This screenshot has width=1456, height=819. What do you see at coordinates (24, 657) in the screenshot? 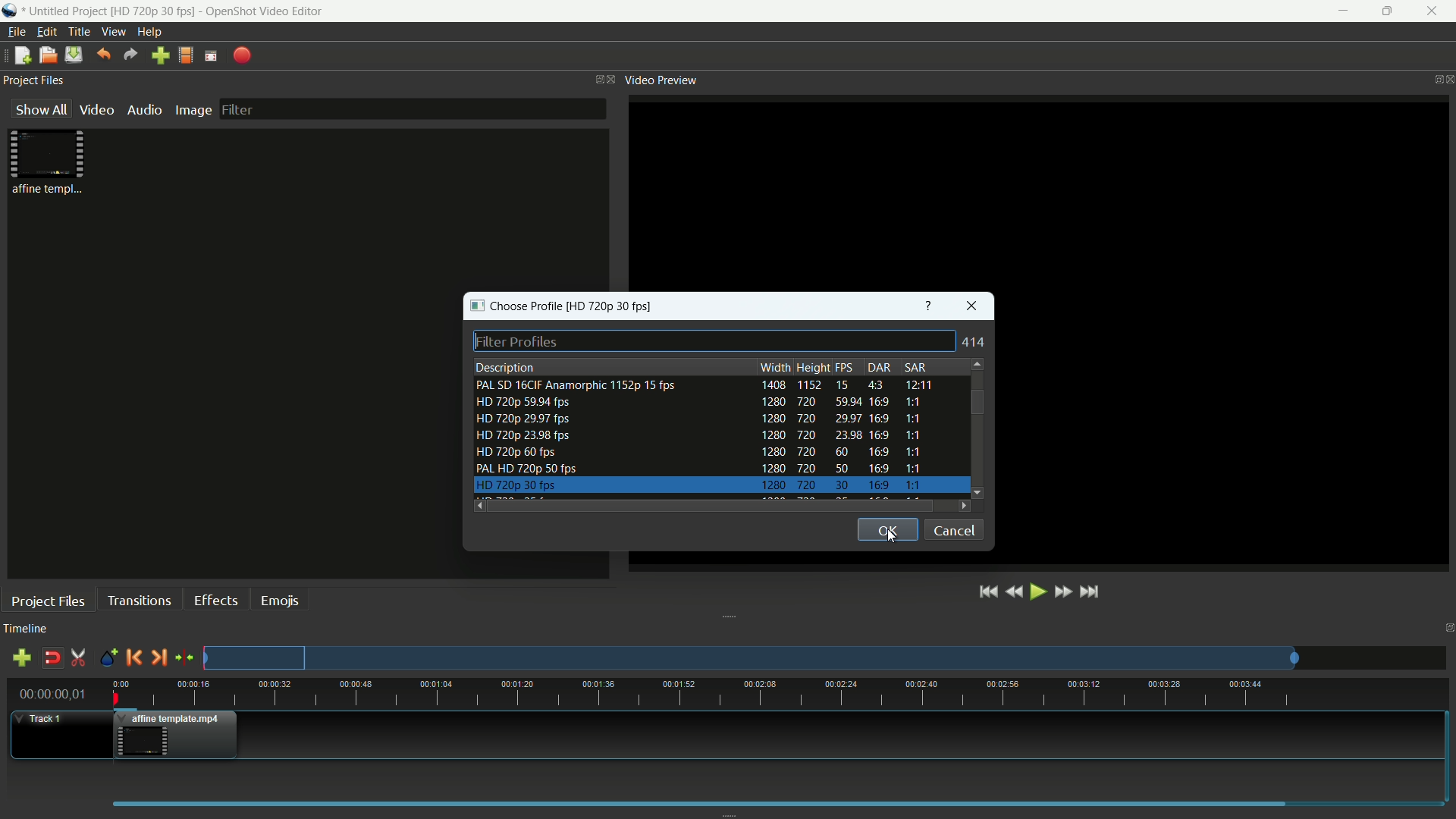
I see `add track` at bounding box center [24, 657].